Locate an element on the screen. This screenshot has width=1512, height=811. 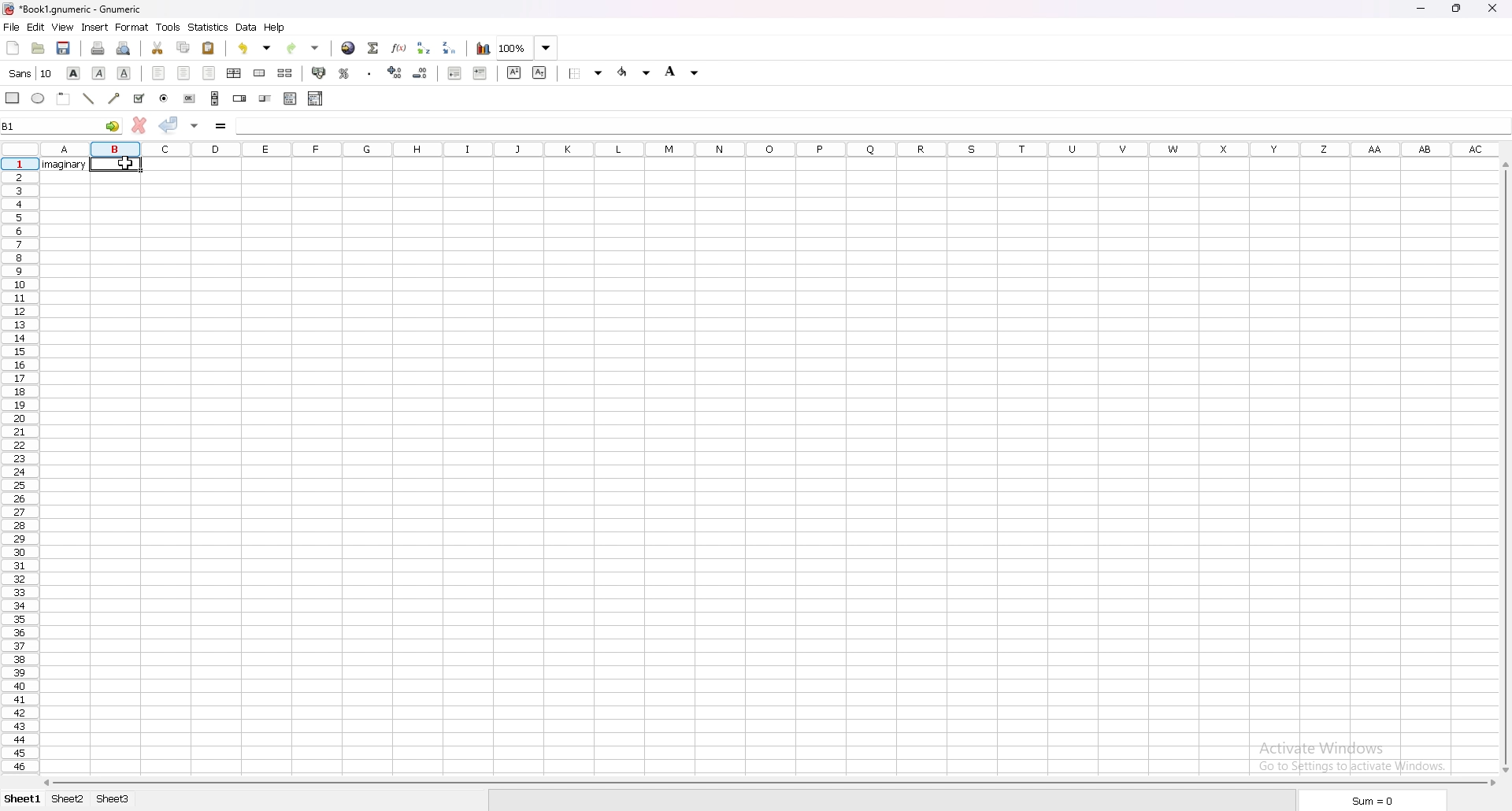
selected cell row is located at coordinates (20, 164).